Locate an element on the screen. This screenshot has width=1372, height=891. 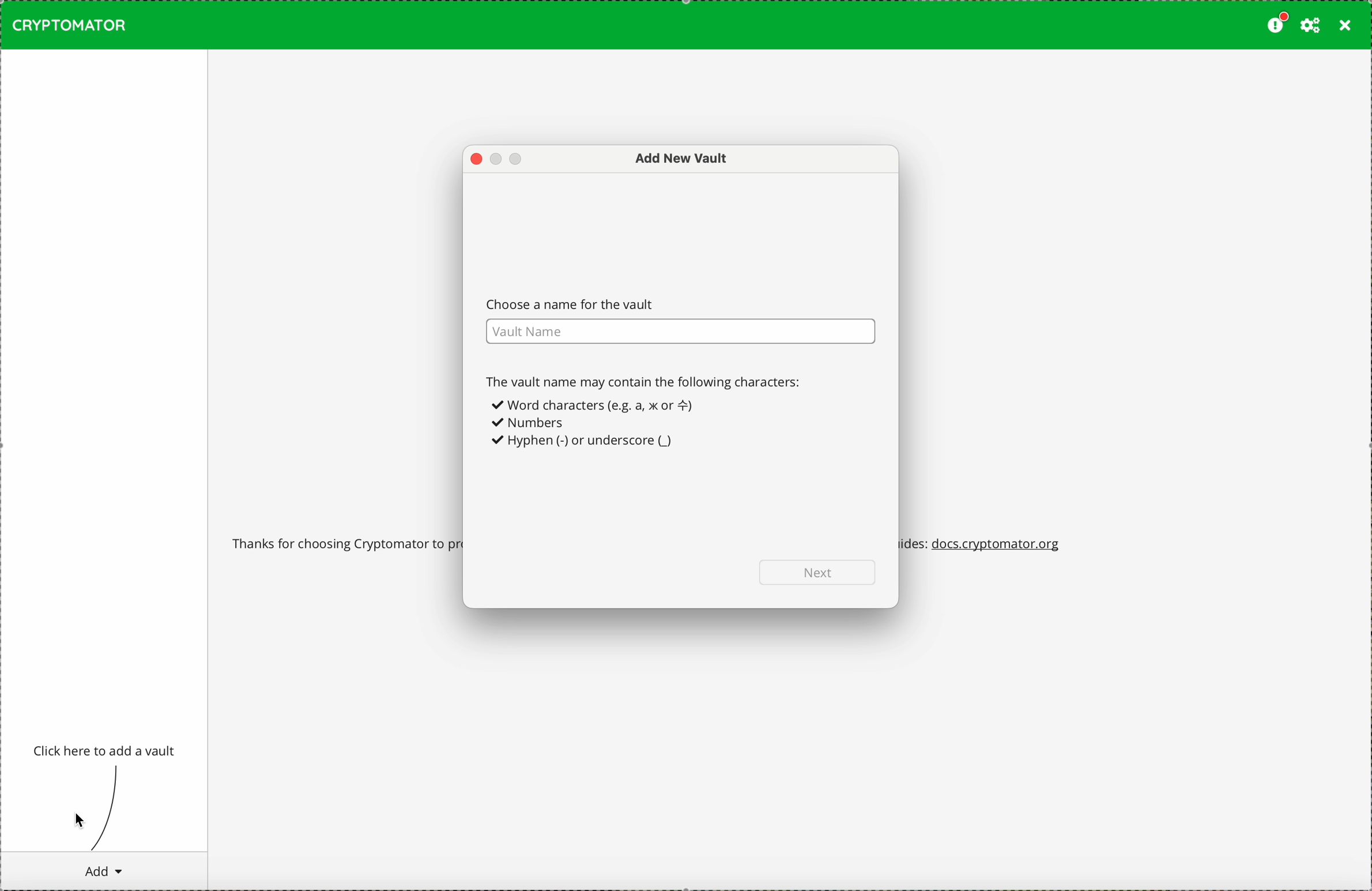
next is located at coordinates (820, 572).